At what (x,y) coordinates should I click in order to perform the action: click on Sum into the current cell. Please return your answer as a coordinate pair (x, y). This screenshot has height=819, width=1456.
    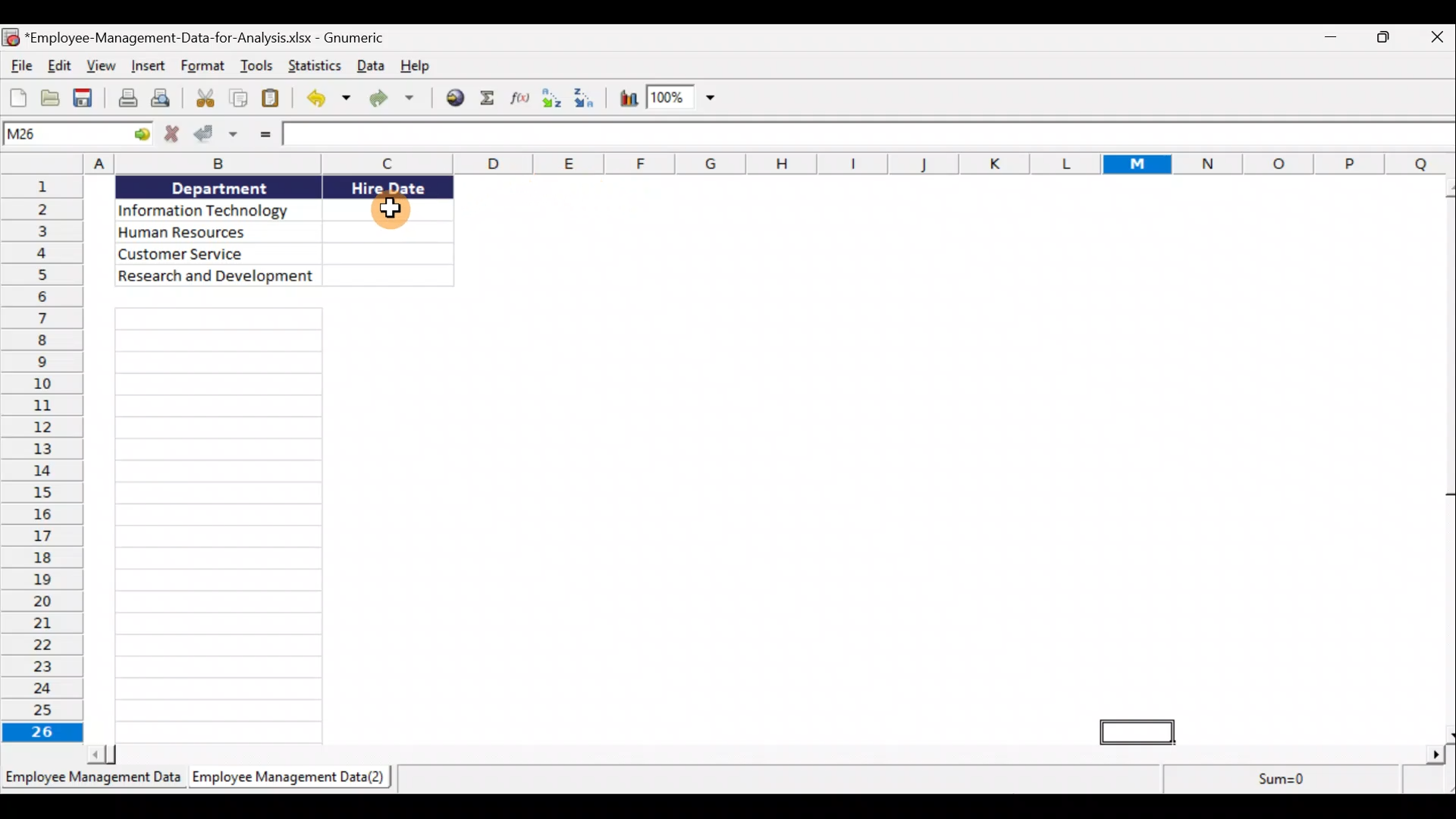
    Looking at the image, I should click on (492, 98).